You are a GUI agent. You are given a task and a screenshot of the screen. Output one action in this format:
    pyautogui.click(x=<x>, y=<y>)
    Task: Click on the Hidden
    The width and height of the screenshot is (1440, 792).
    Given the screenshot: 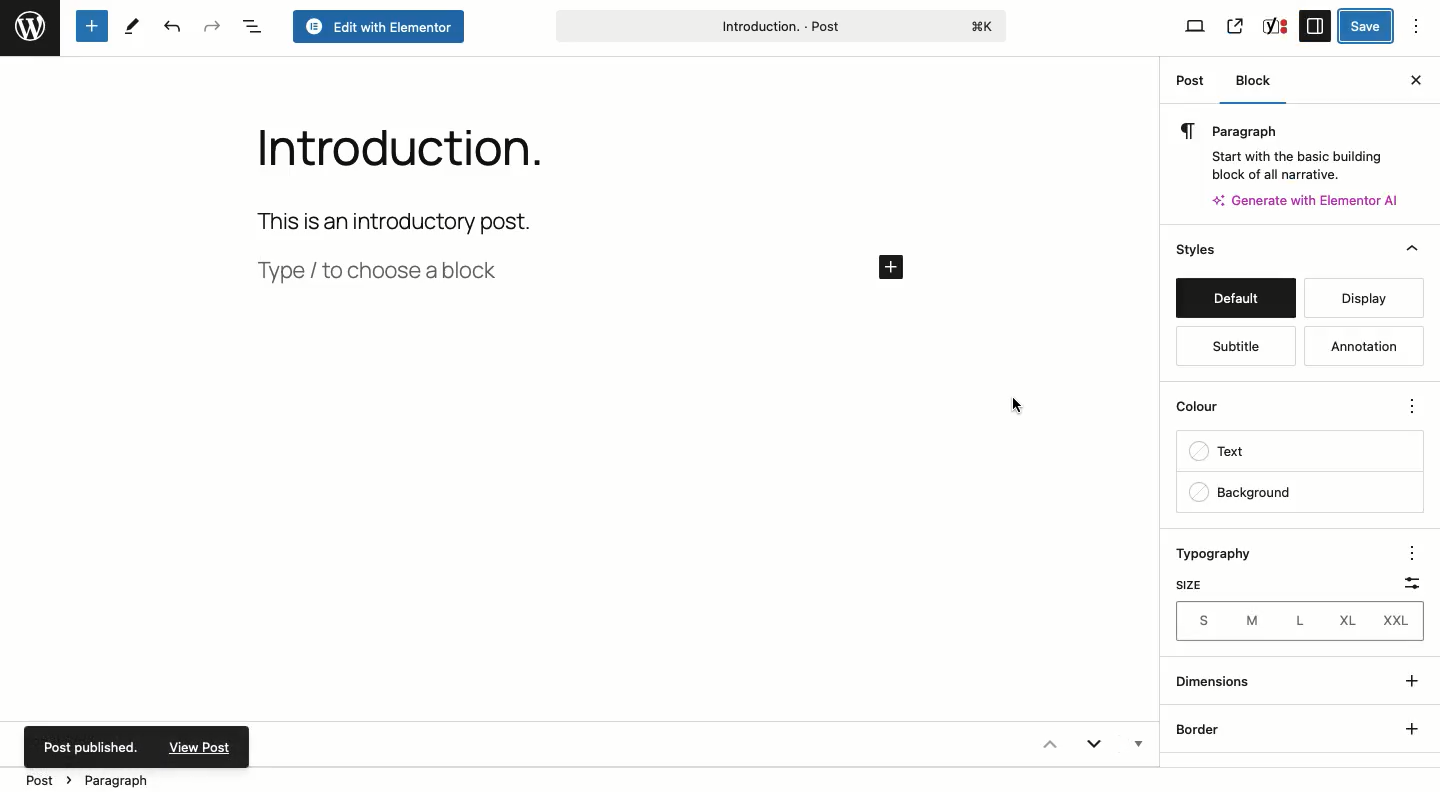 What is the action you would take?
    pyautogui.click(x=1136, y=746)
    